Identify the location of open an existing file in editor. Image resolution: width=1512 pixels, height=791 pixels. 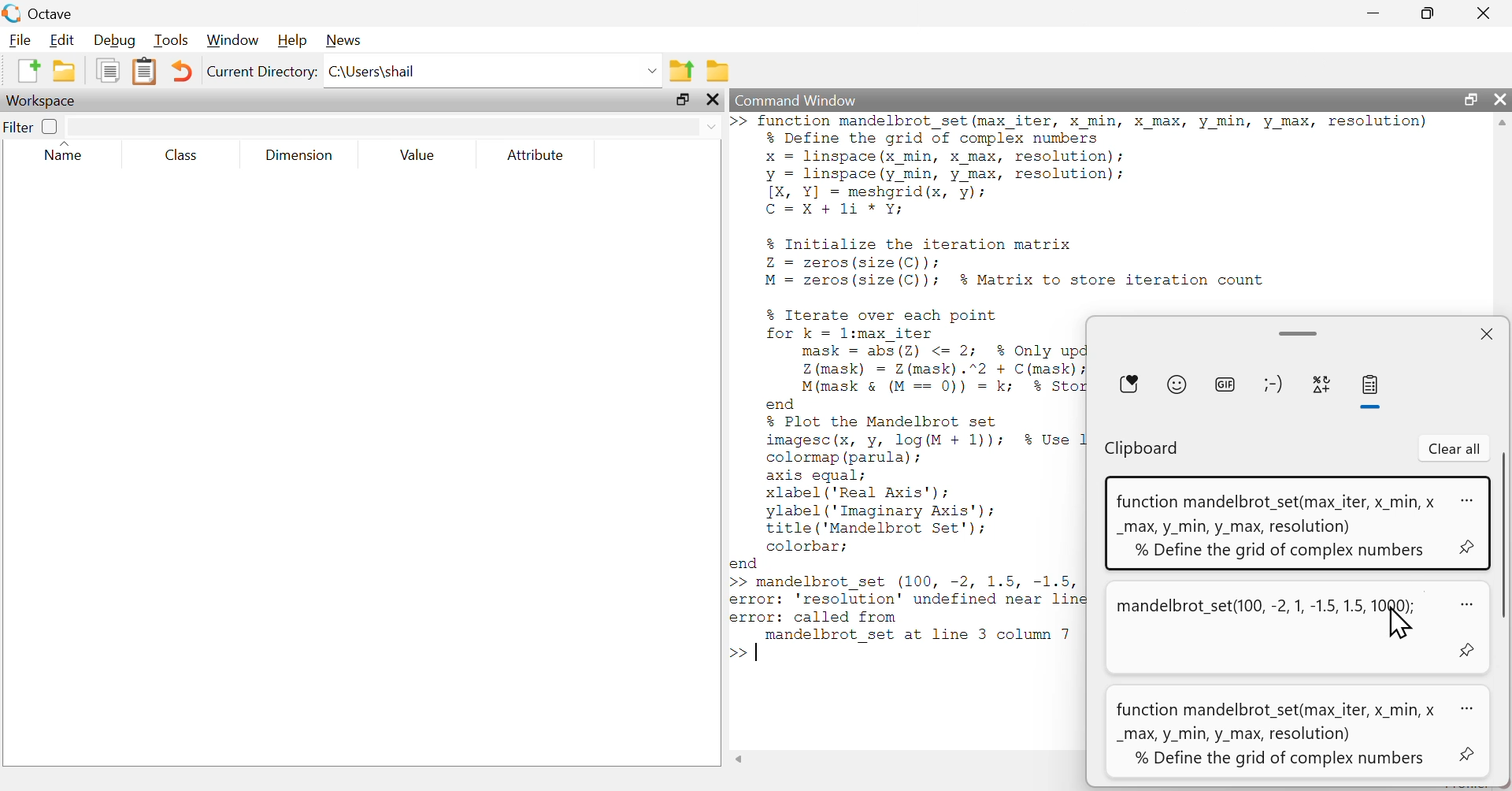
(64, 72).